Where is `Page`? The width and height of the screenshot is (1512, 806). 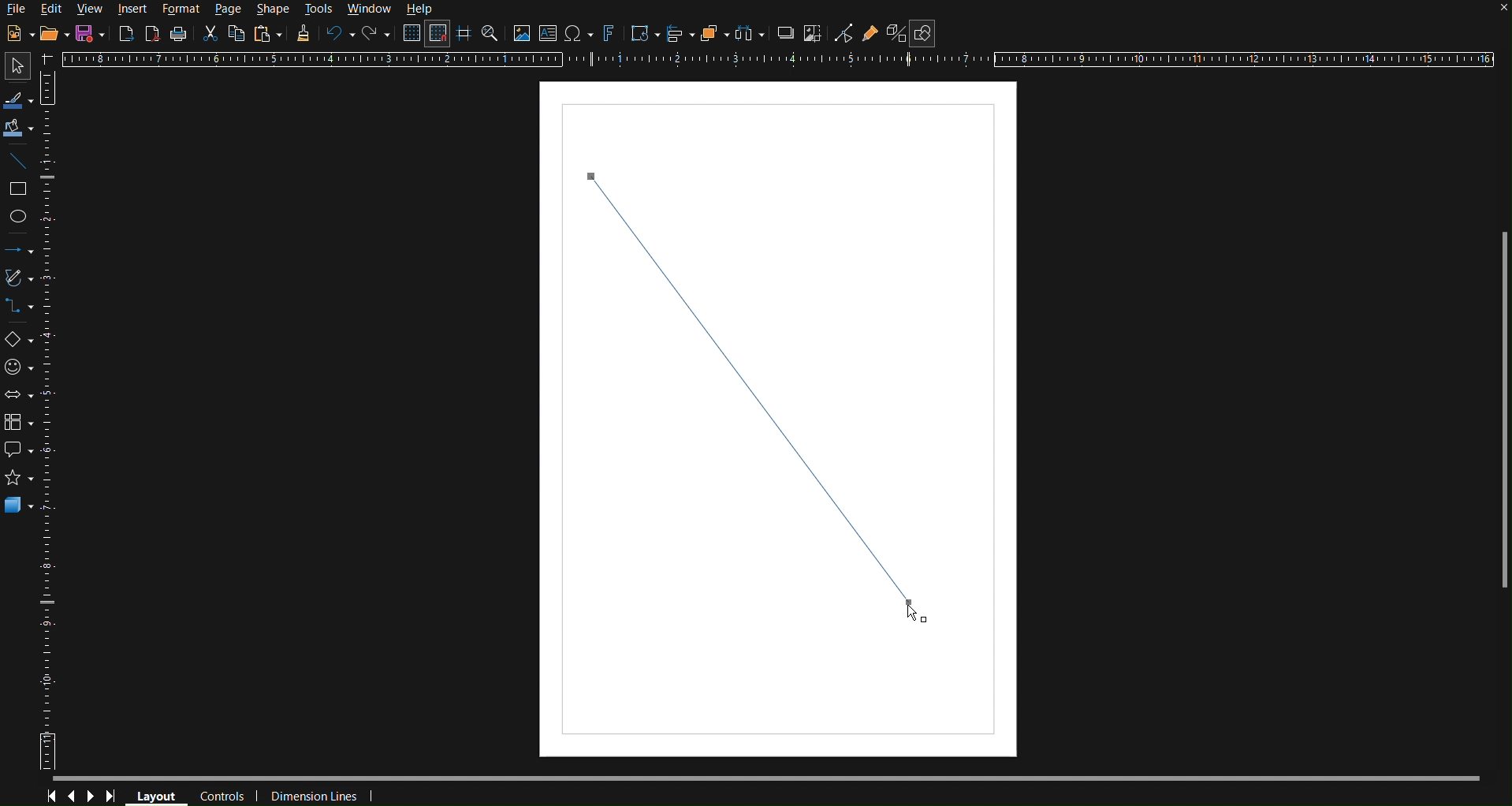 Page is located at coordinates (226, 10).